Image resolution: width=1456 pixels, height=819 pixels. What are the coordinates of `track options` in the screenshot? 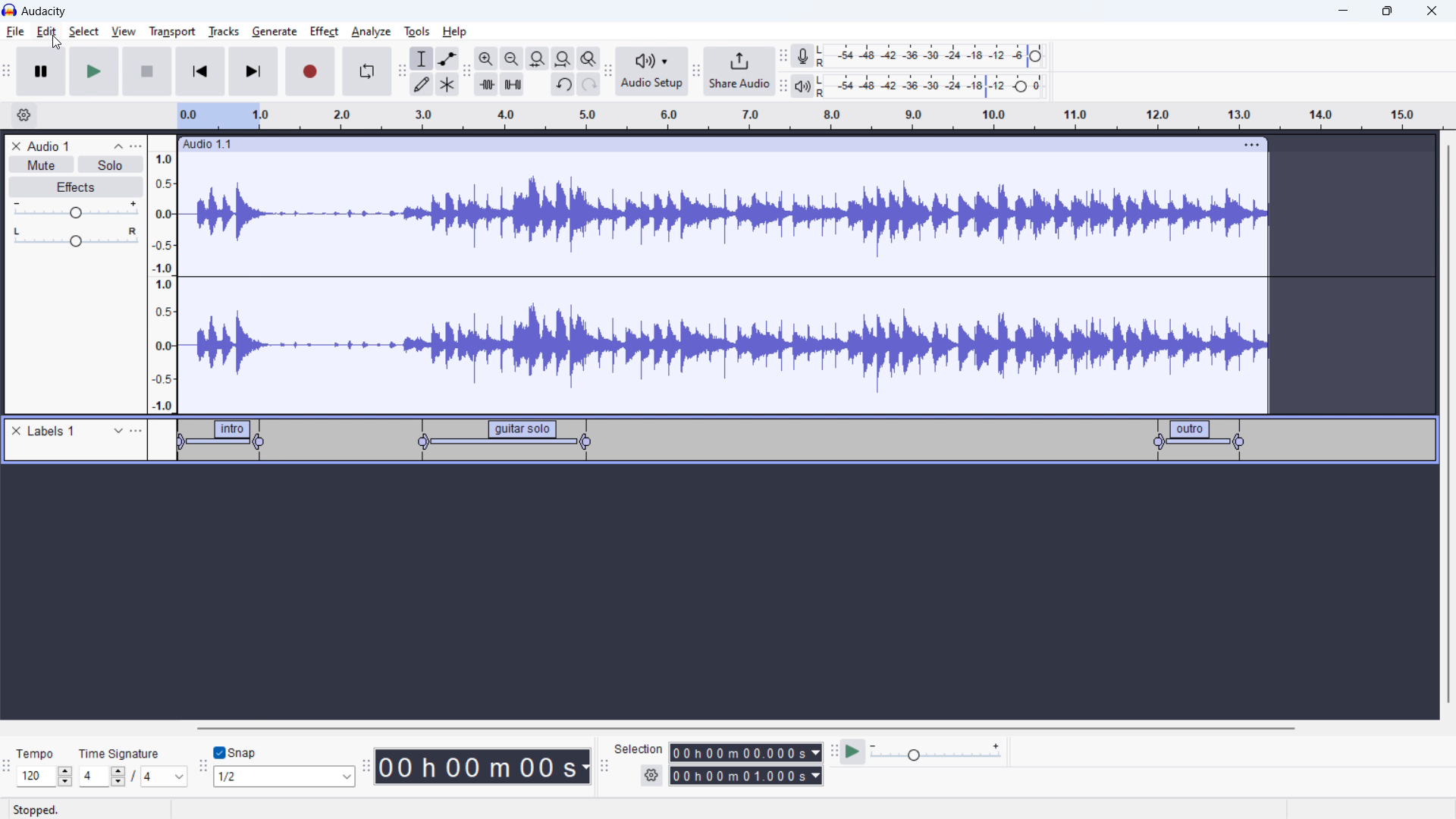 It's located at (1254, 143).